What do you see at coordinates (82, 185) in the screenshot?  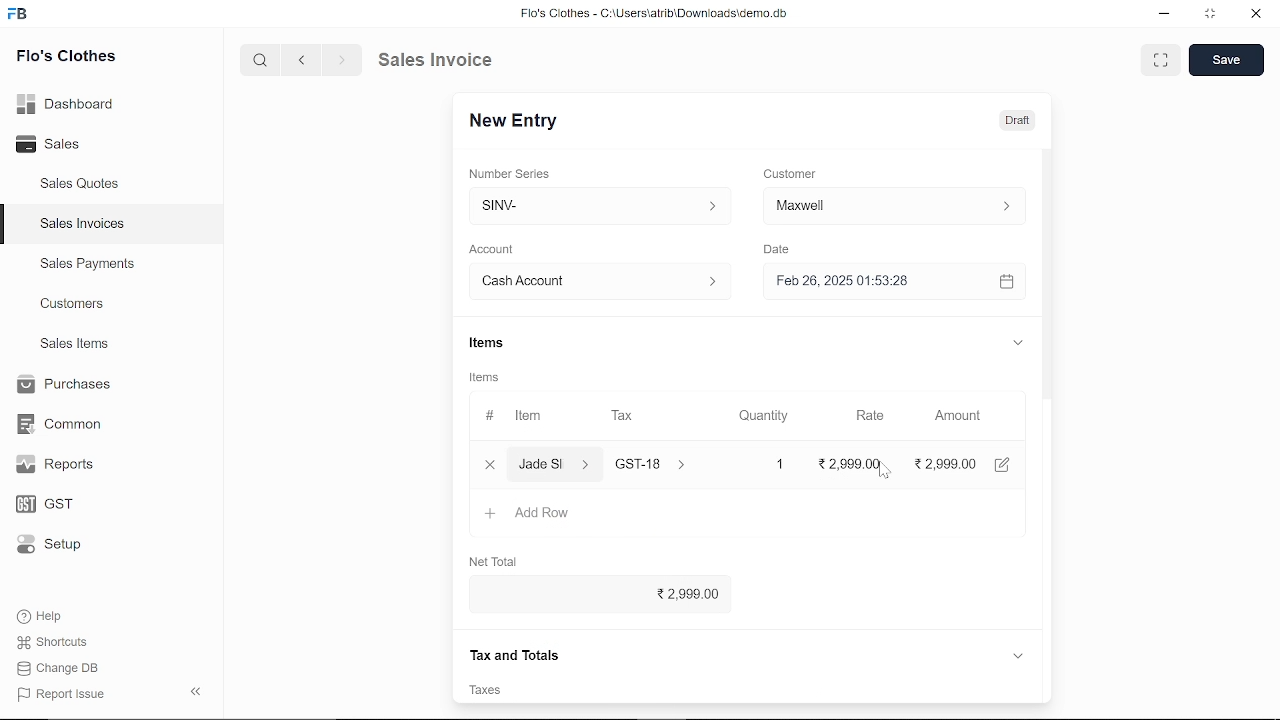 I see `Sales Quotes` at bounding box center [82, 185].